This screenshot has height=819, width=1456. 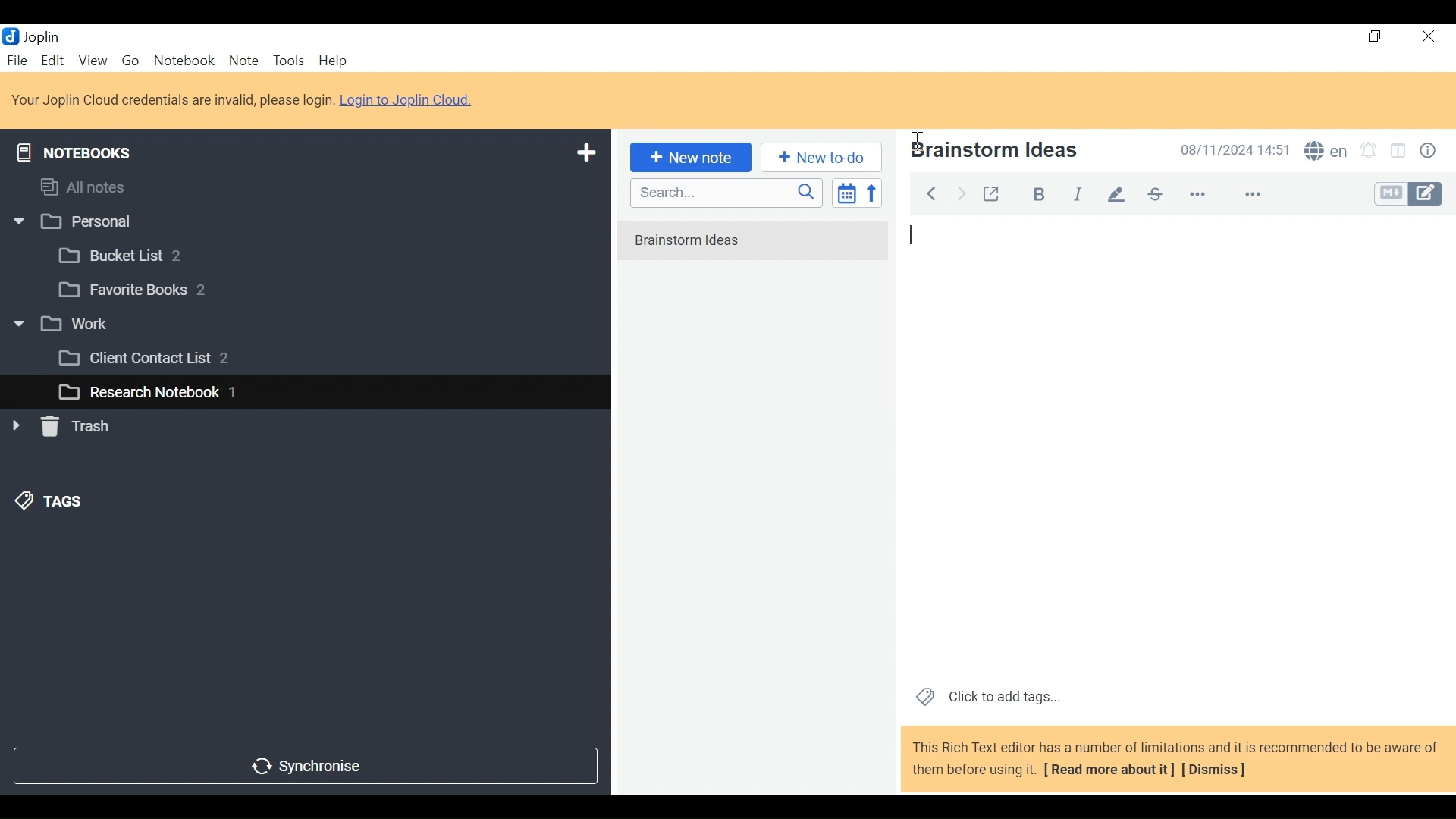 I want to click on Toggle external editing, so click(x=991, y=191).